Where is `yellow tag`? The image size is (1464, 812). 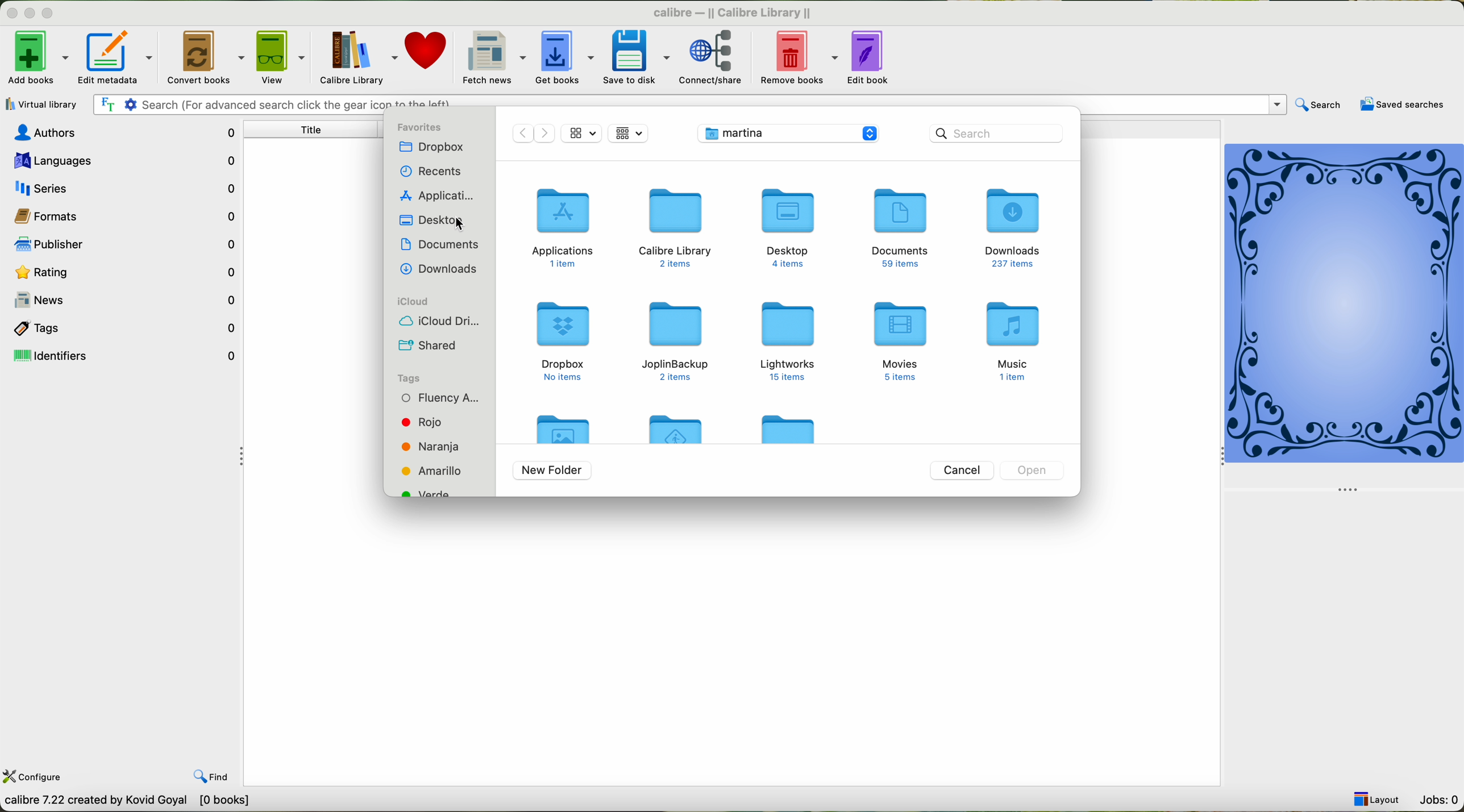 yellow tag is located at coordinates (434, 471).